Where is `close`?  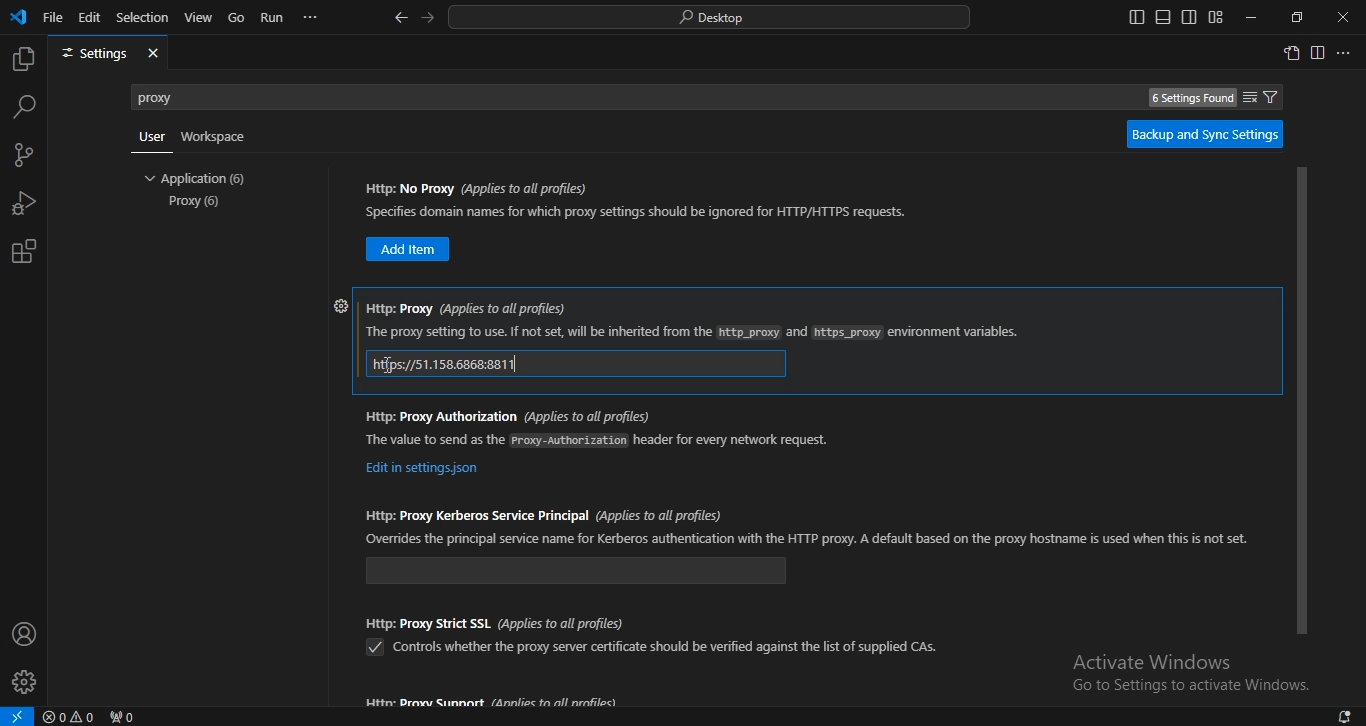
close is located at coordinates (1342, 17).